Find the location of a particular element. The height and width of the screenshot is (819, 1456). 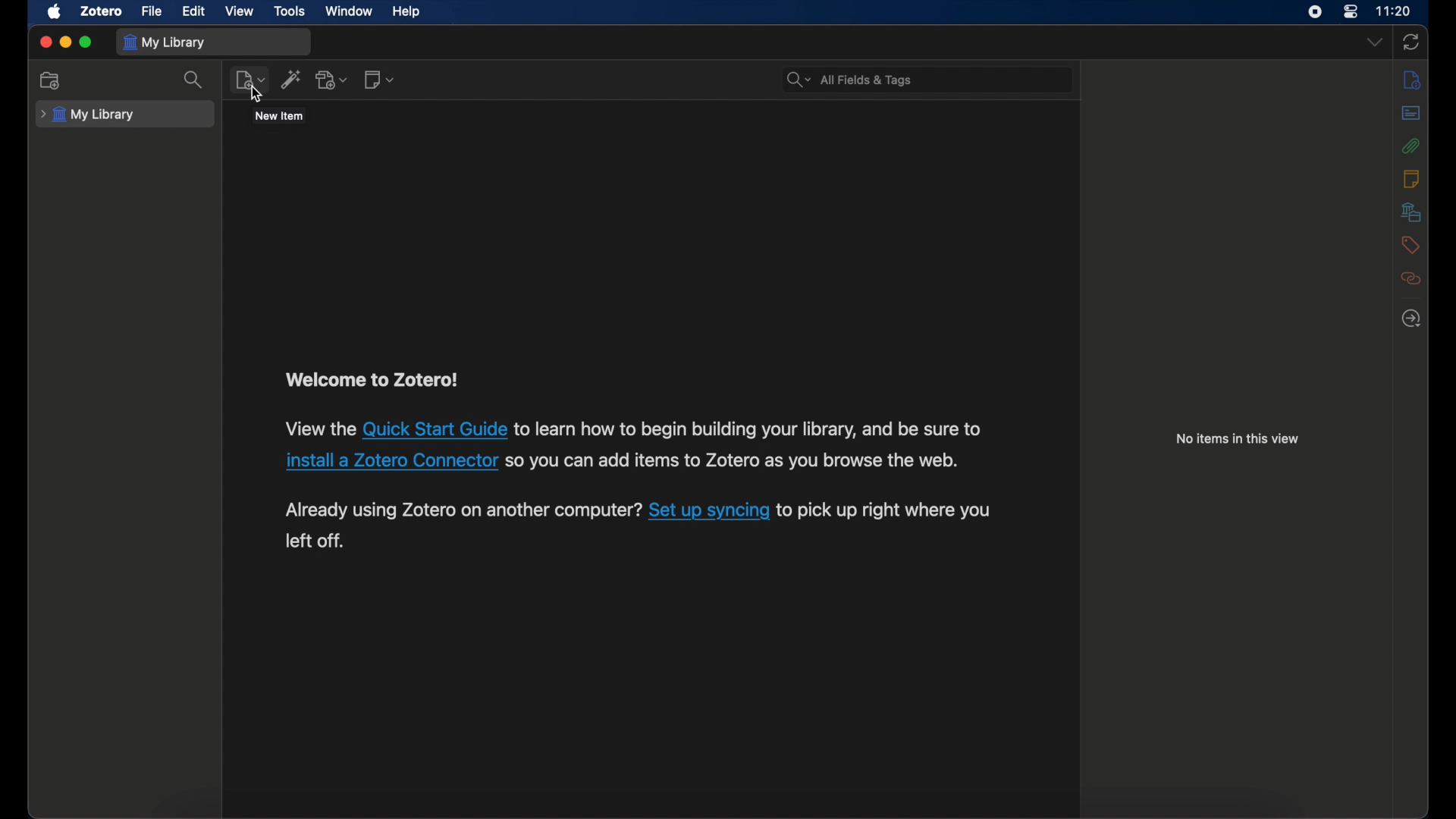

add note is located at coordinates (379, 80).